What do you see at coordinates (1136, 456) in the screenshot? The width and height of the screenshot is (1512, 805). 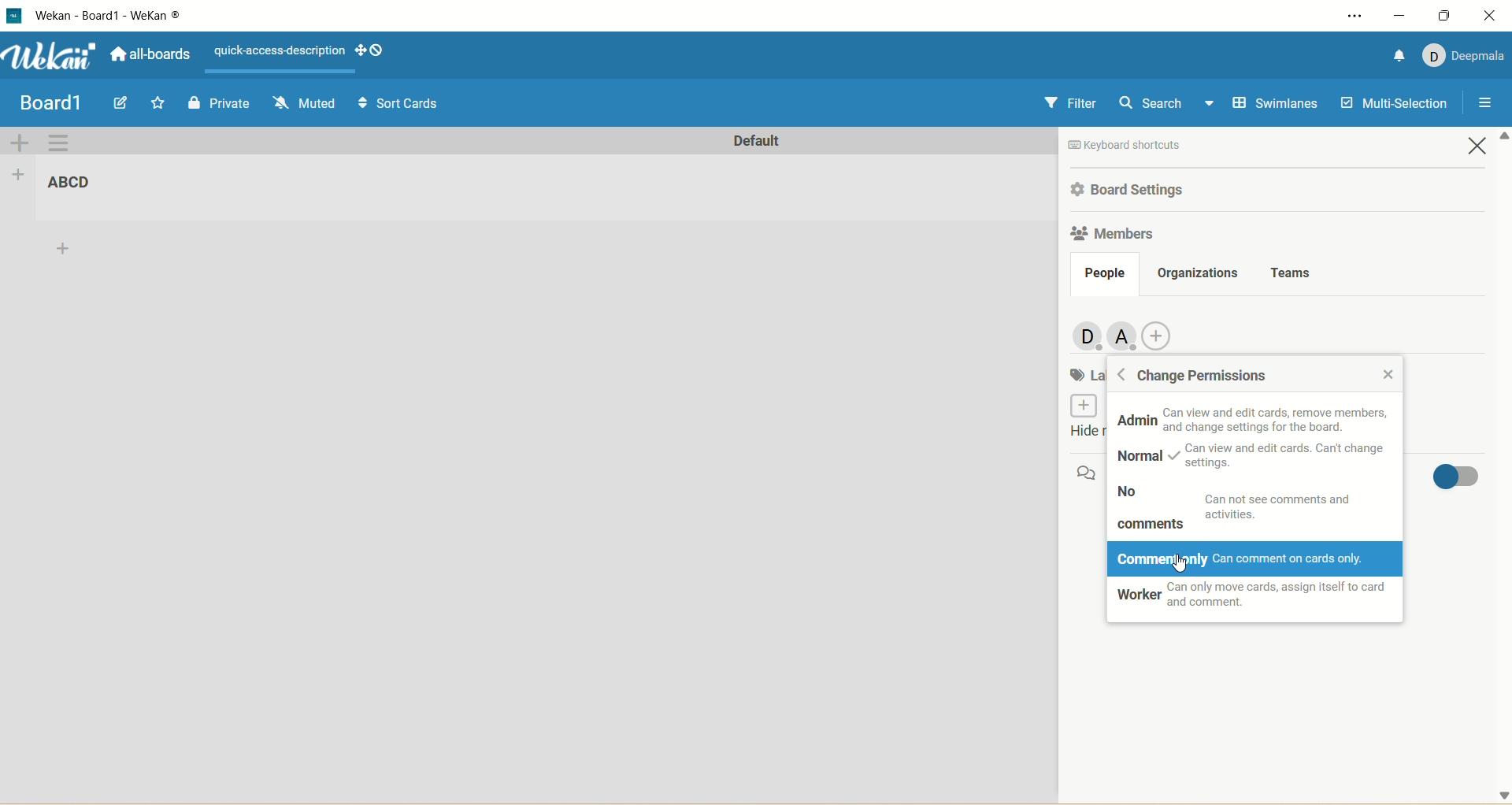 I see `normal` at bounding box center [1136, 456].